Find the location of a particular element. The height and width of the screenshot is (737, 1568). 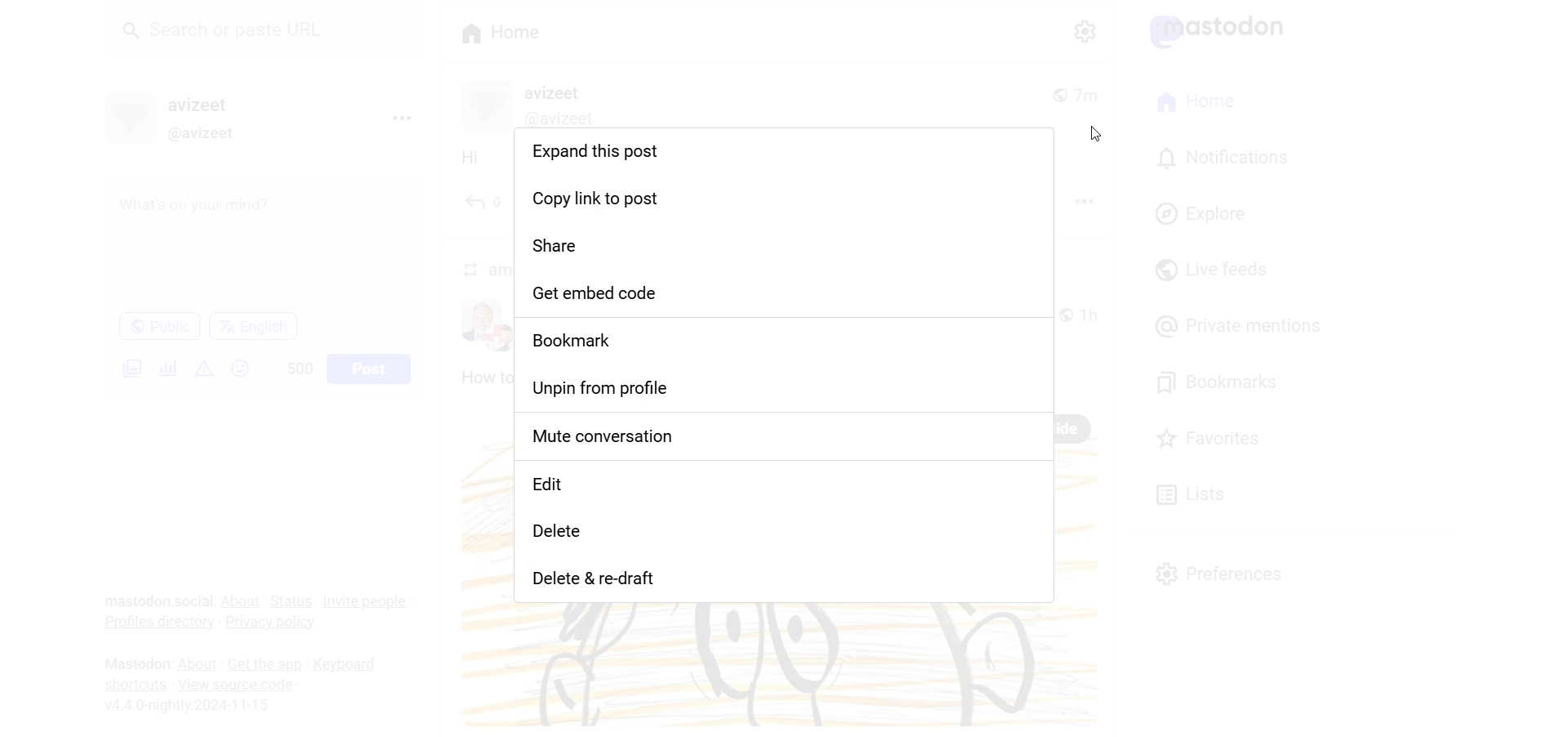

Emojis is located at coordinates (241, 368).